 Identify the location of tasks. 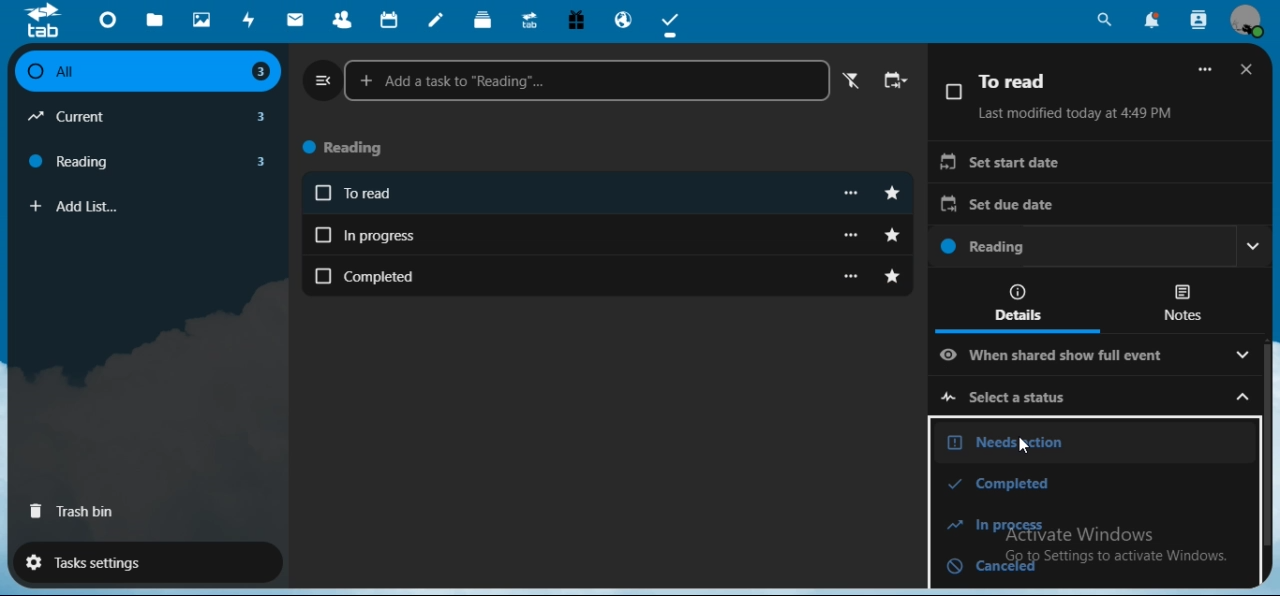
(672, 22).